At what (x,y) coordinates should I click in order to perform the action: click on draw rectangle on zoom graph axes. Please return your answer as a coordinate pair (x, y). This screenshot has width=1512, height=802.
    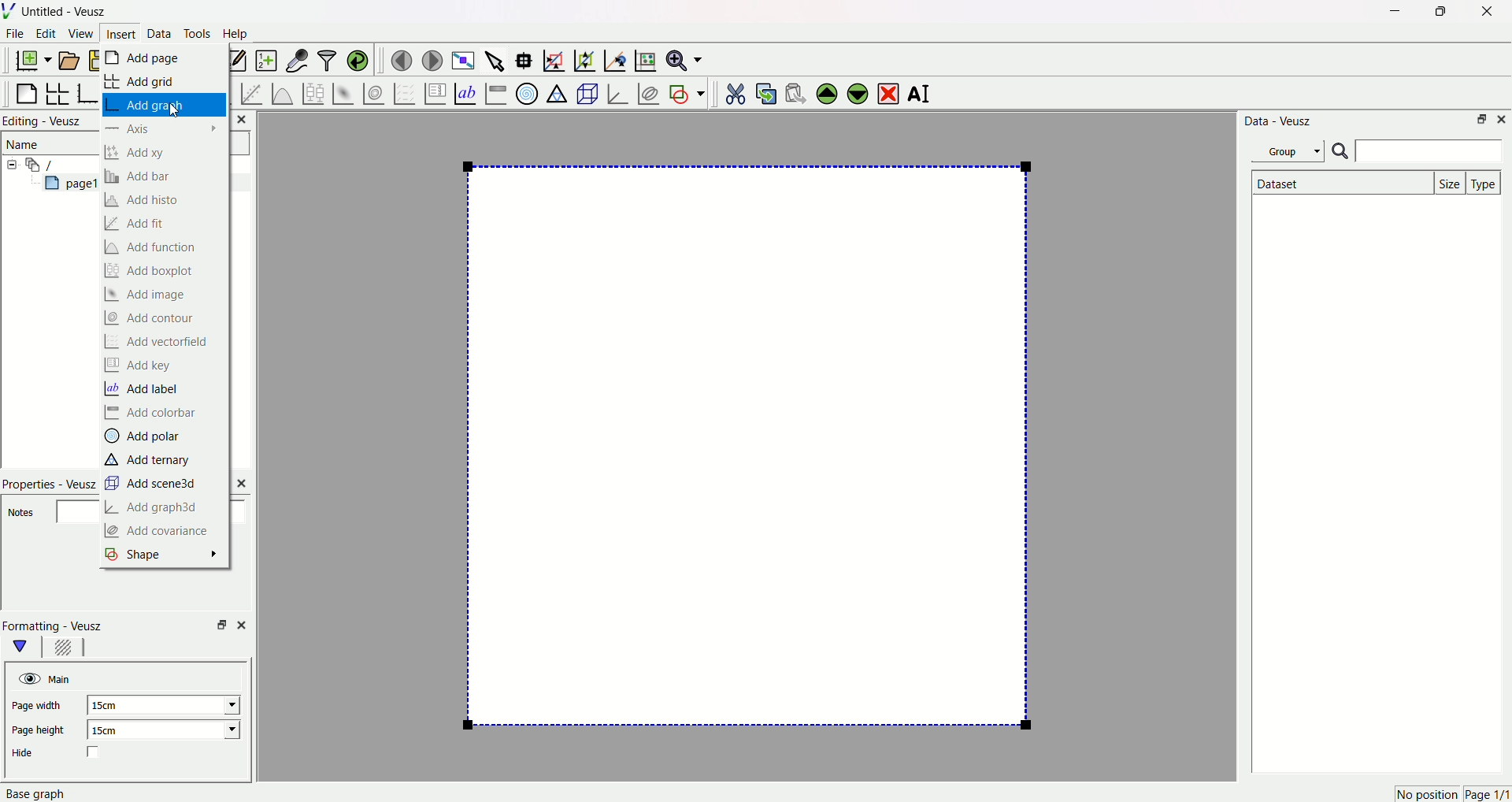
    Looking at the image, I should click on (554, 58).